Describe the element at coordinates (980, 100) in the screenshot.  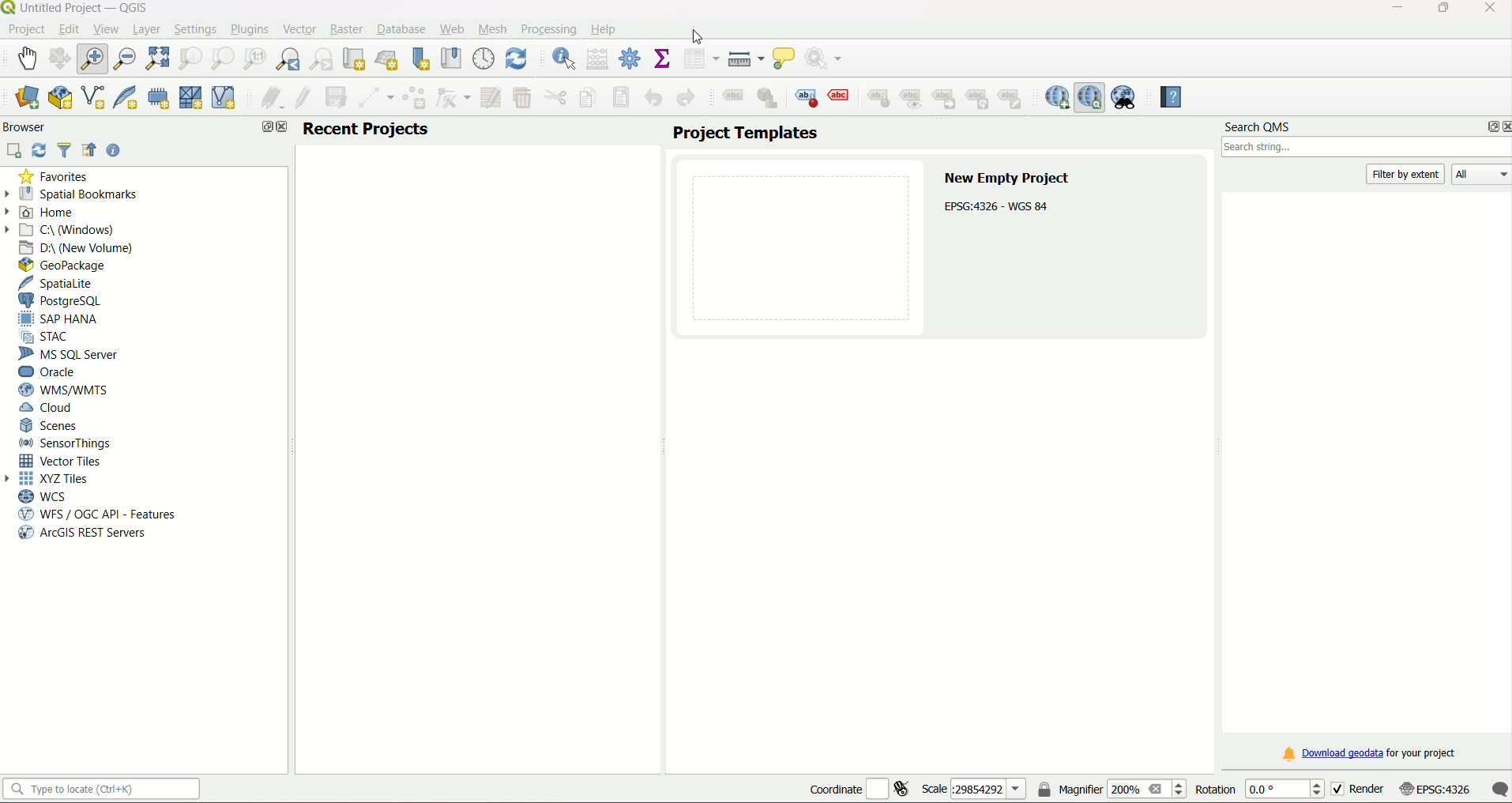
I see `rotate label` at that location.